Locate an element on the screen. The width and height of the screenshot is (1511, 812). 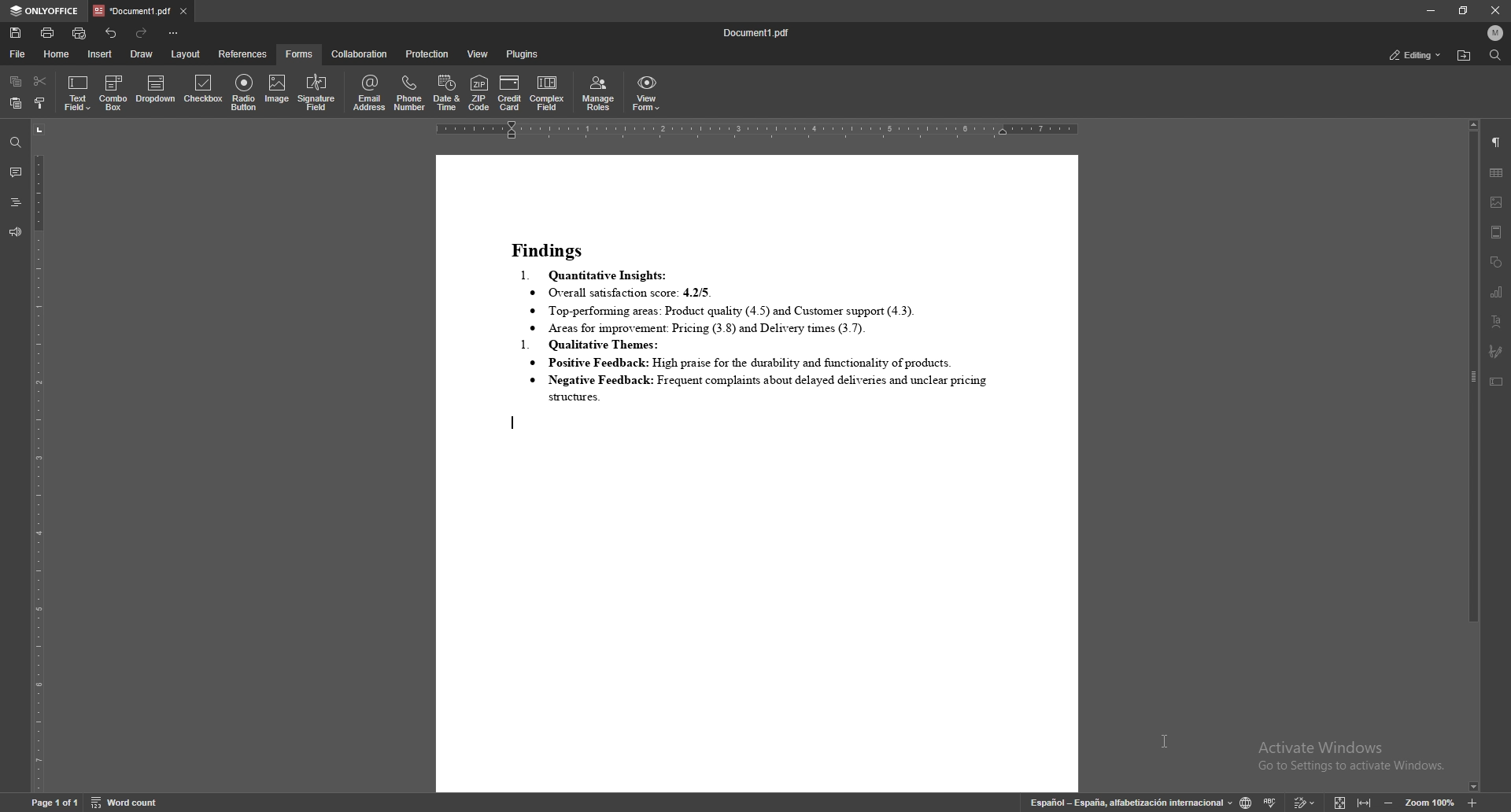
protection is located at coordinates (427, 54).